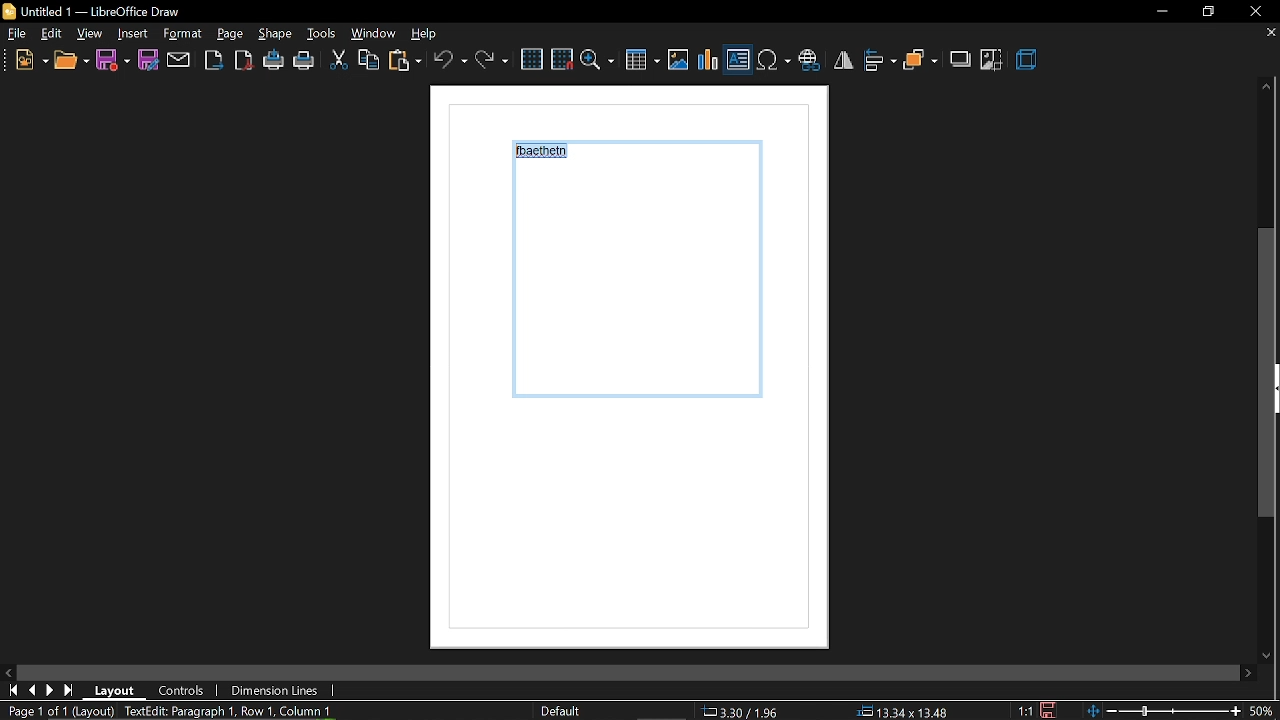 The width and height of the screenshot is (1280, 720). I want to click on align, so click(880, 62).